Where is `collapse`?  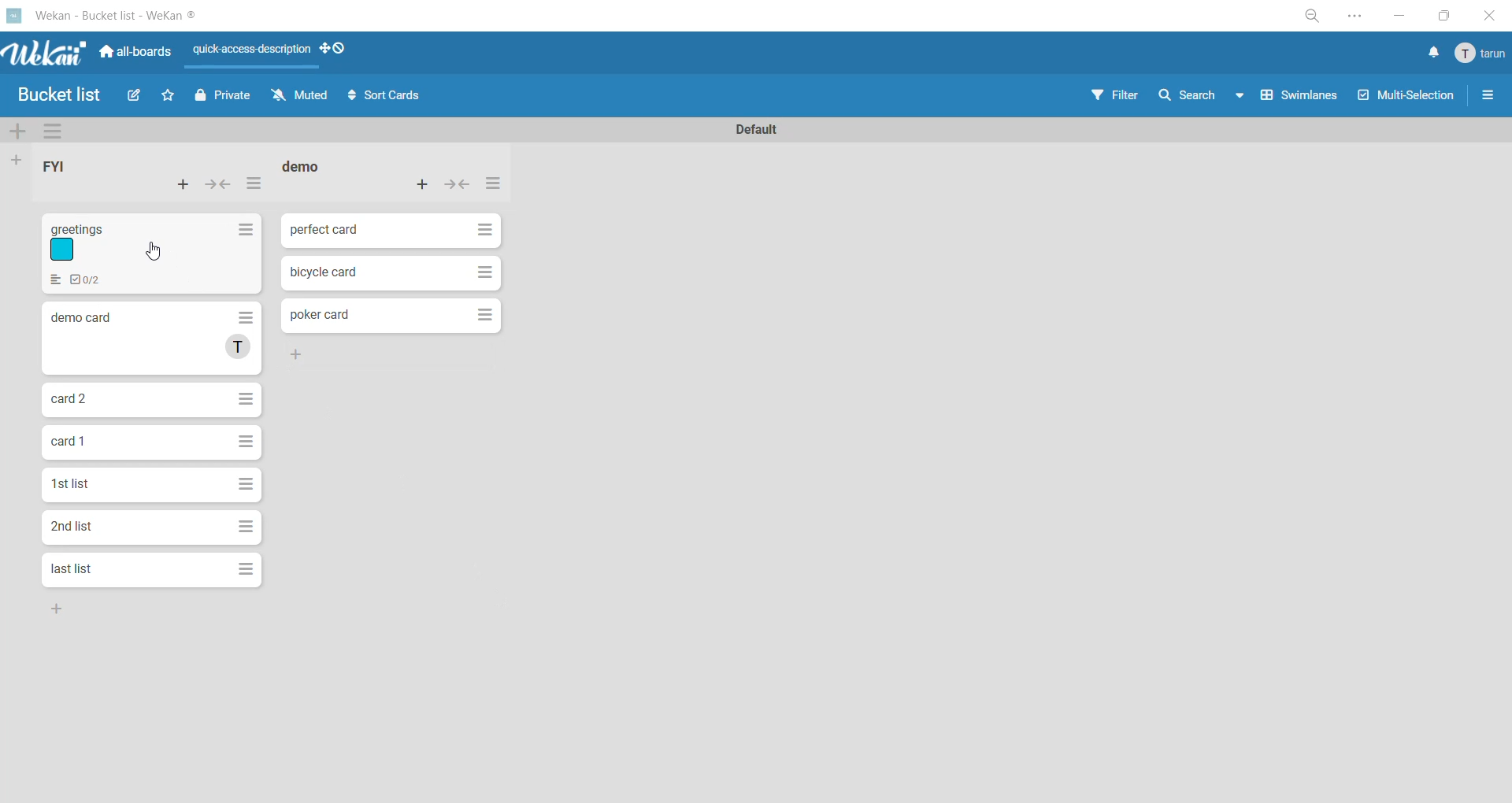
collapse is located at coordinates (220, 184).